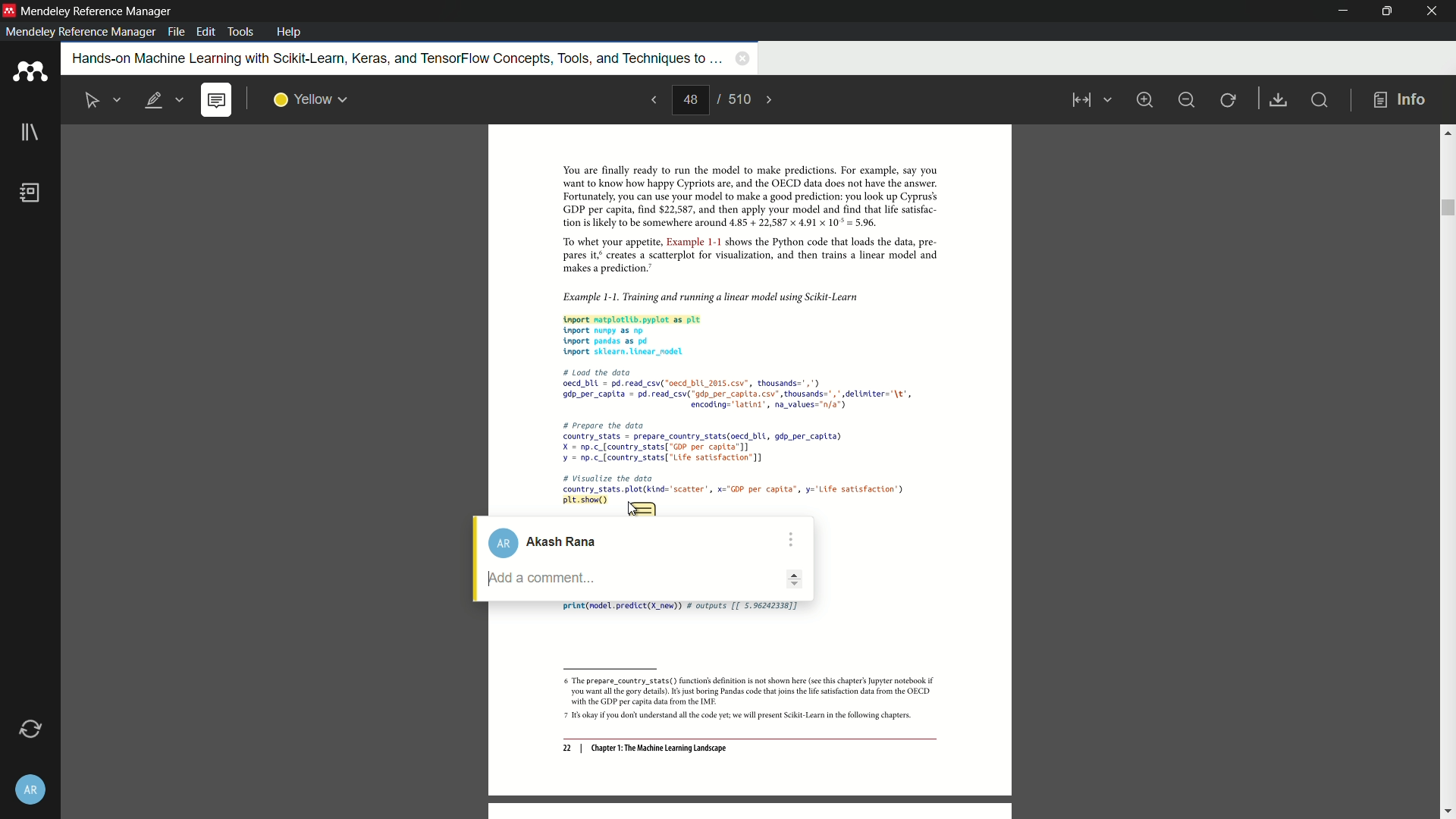 This screenshot has height=819, width=1456. I want to click on minimize, so click(1186, 100).